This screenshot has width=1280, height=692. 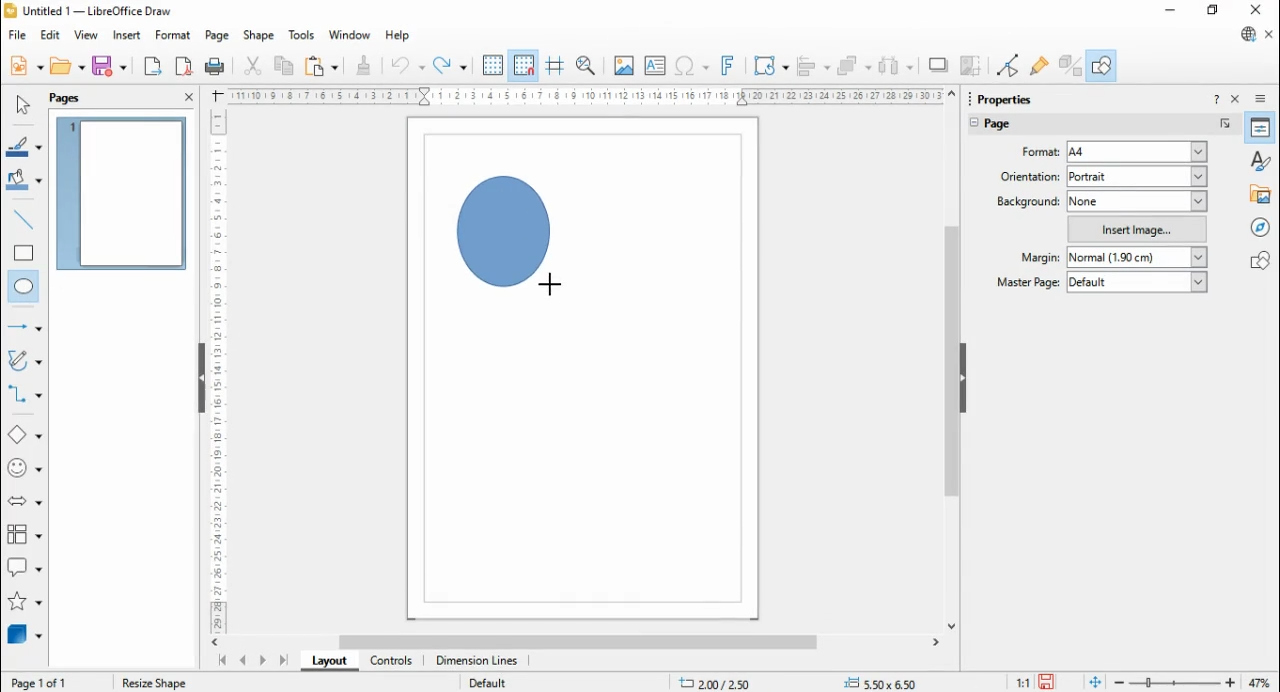 I want to click on a4, so click(x=1136, y=152).